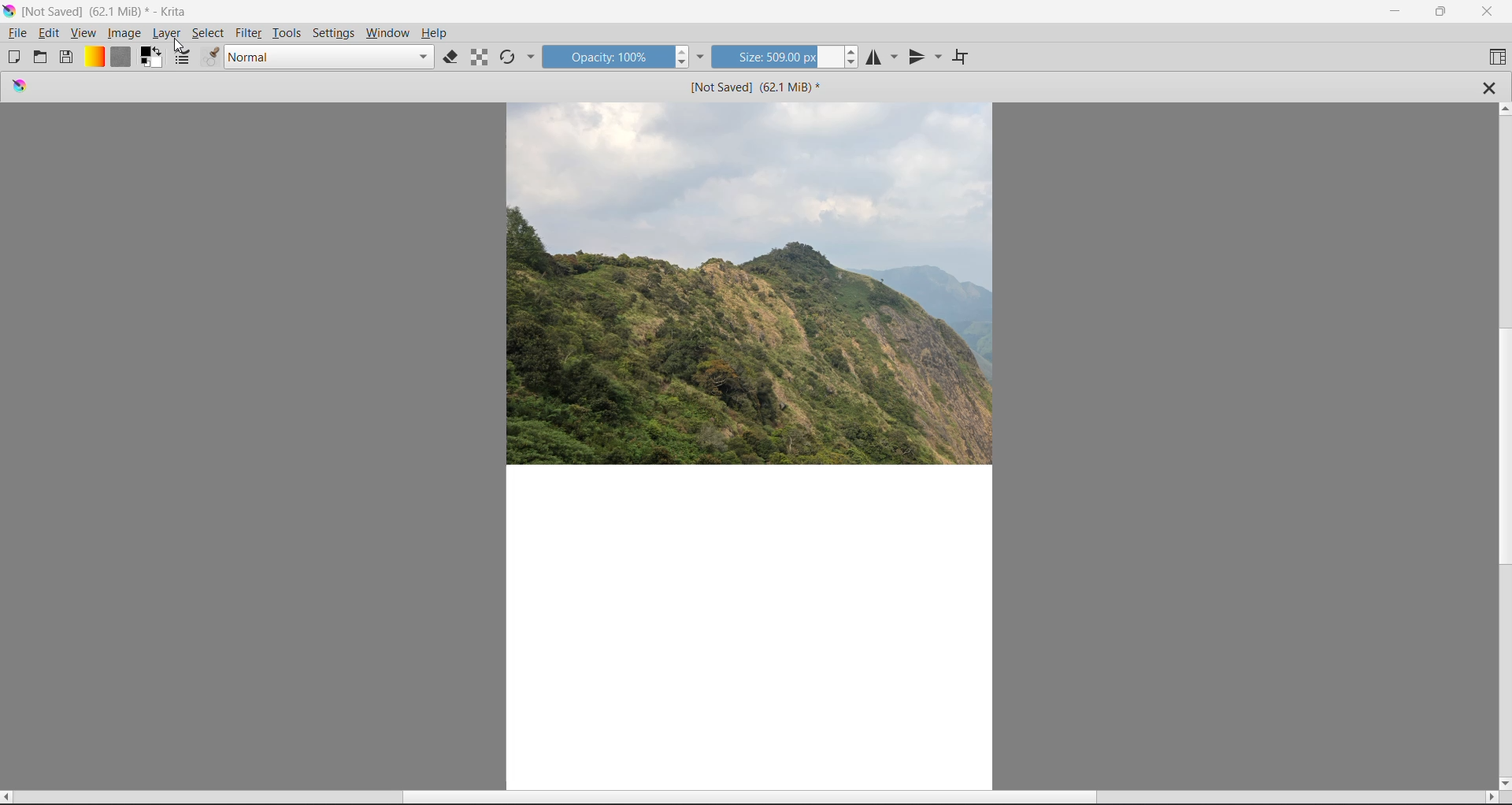 This screenshot has width=1512, height=805. What do you see at coordinates (207, 33) in the screenshot?
I see `Select` at bounding box center [207, 33].